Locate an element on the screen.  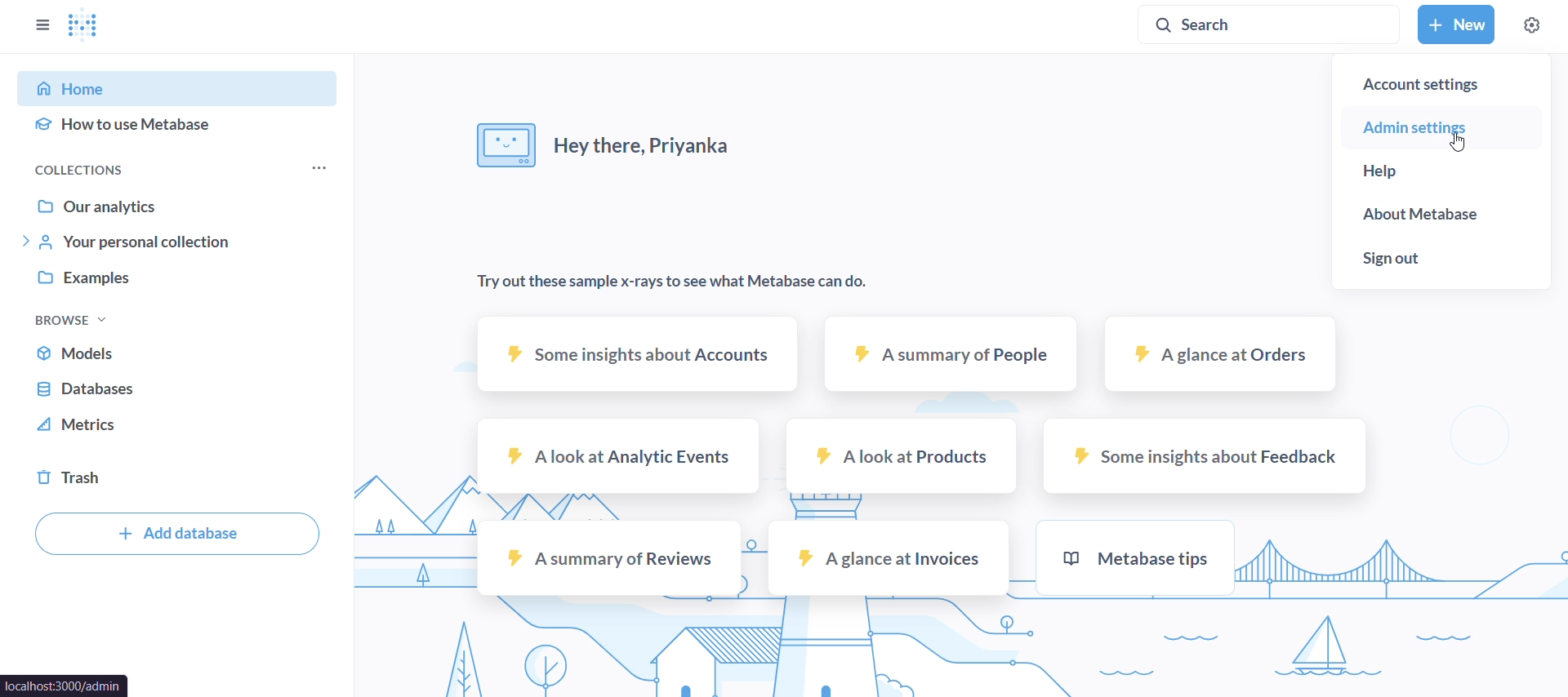
trash is located at coordinates (183, 478).